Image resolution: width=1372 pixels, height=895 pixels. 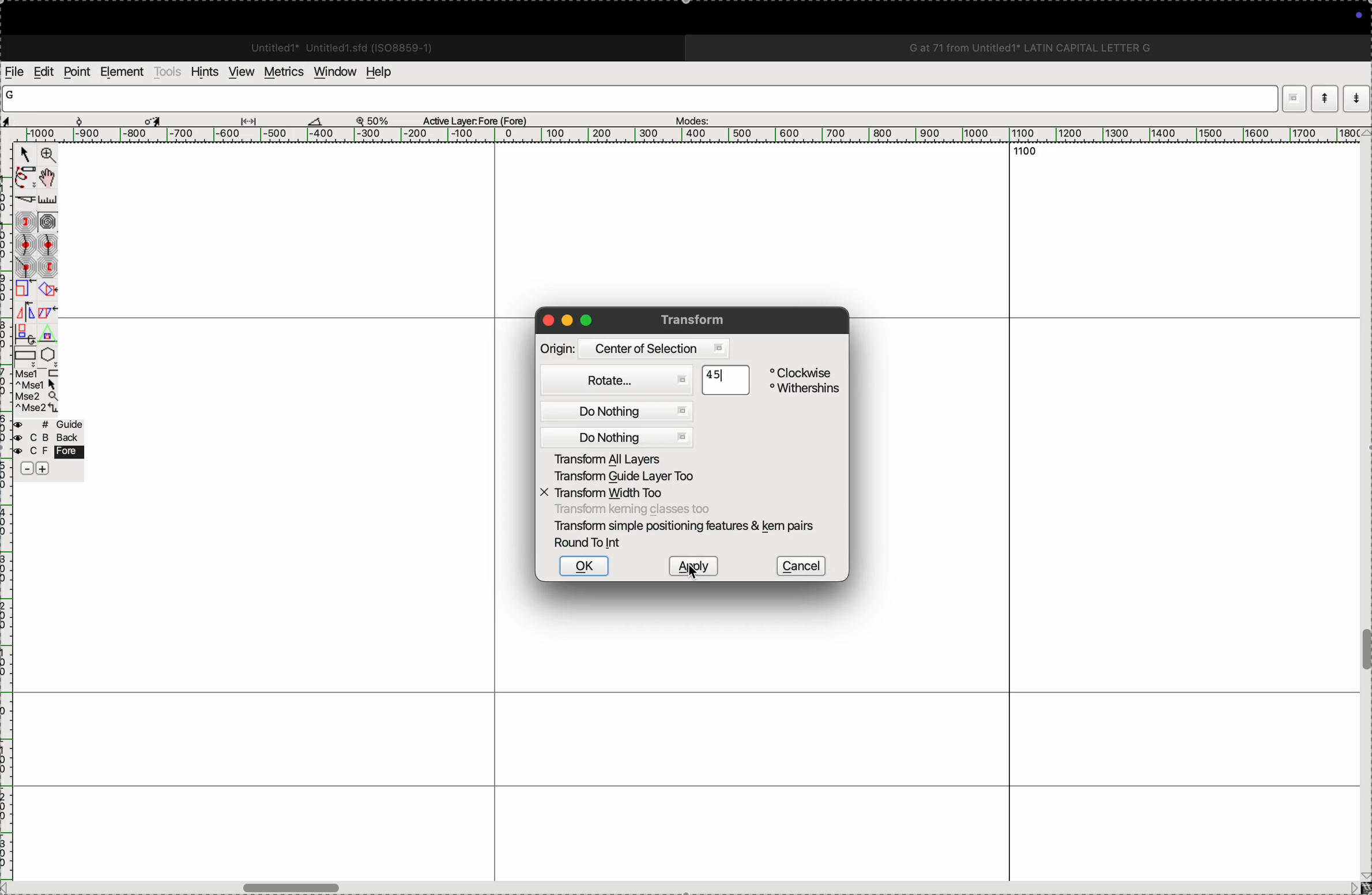 What do you see at coordinates (26, 245) in the screenshot?
I see `gentle curve` at bounding box center [26, 245].